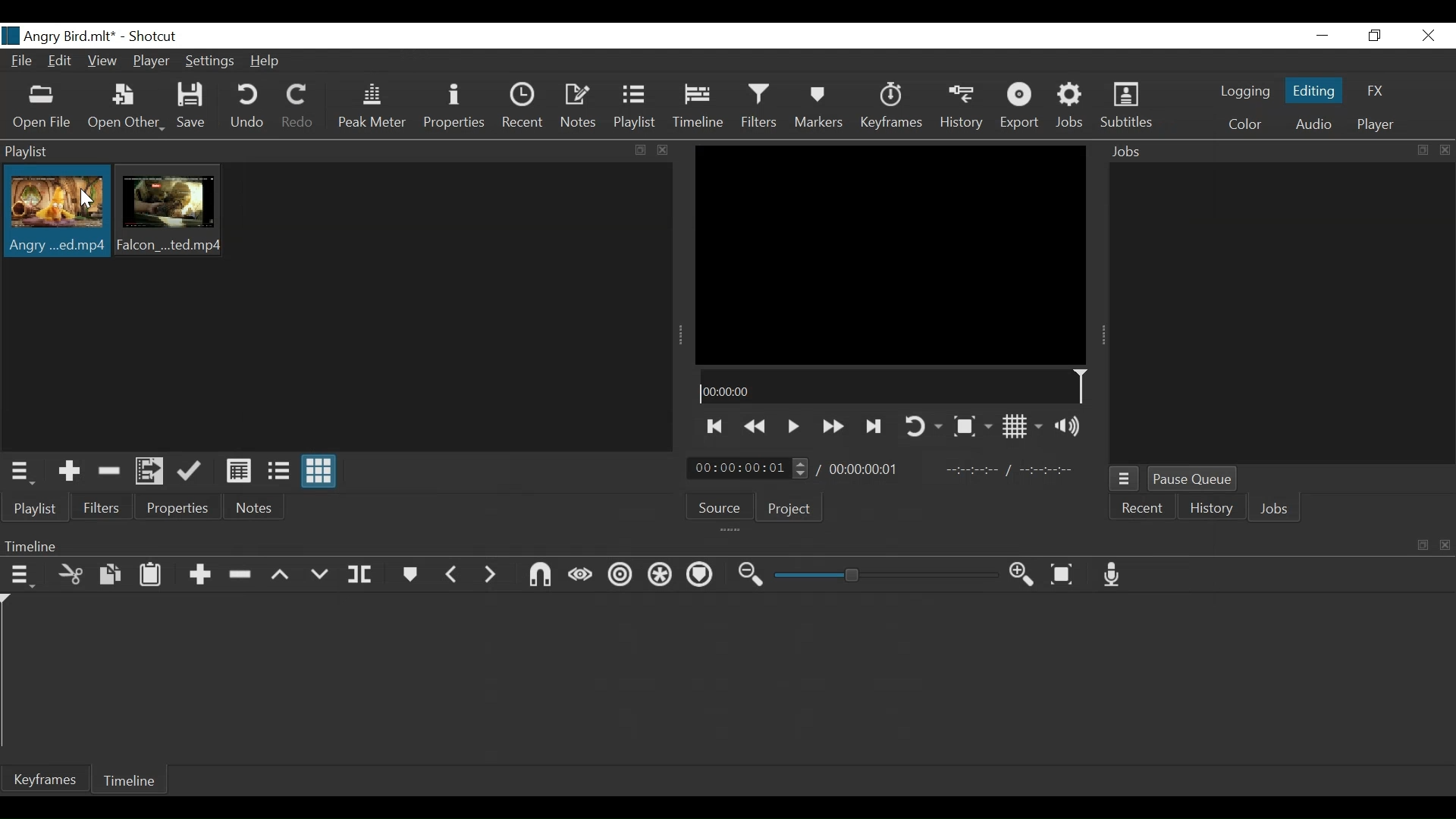 This screenshot has height=819, width=1456. What do you see at coordinates (1025, 574) in the screenshot?
I see `Zoom timeline in` at bounding box center [1025, 574].